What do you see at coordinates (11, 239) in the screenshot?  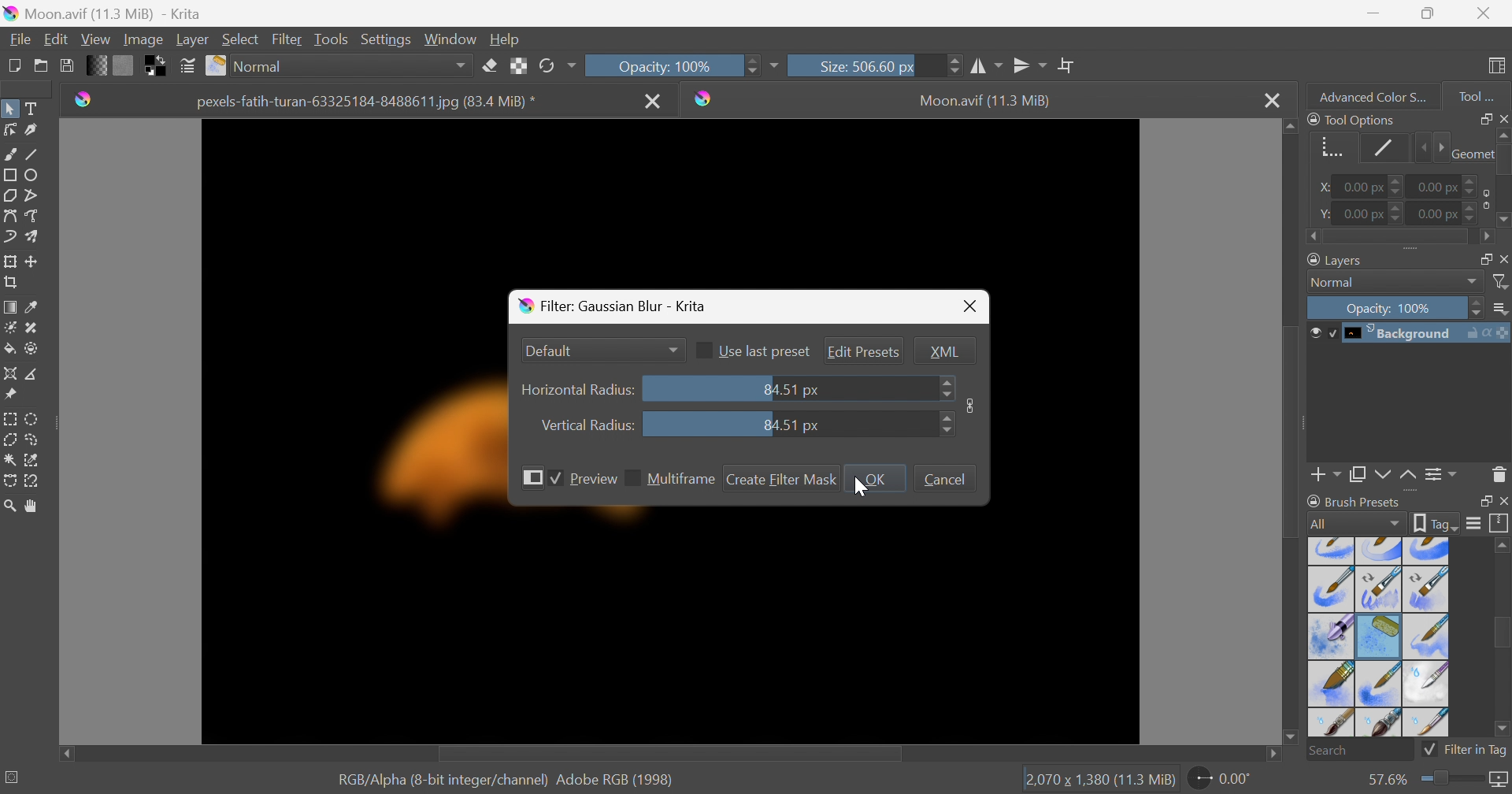 I see `Dynamic brush tool` at bounding box center [11, 239].